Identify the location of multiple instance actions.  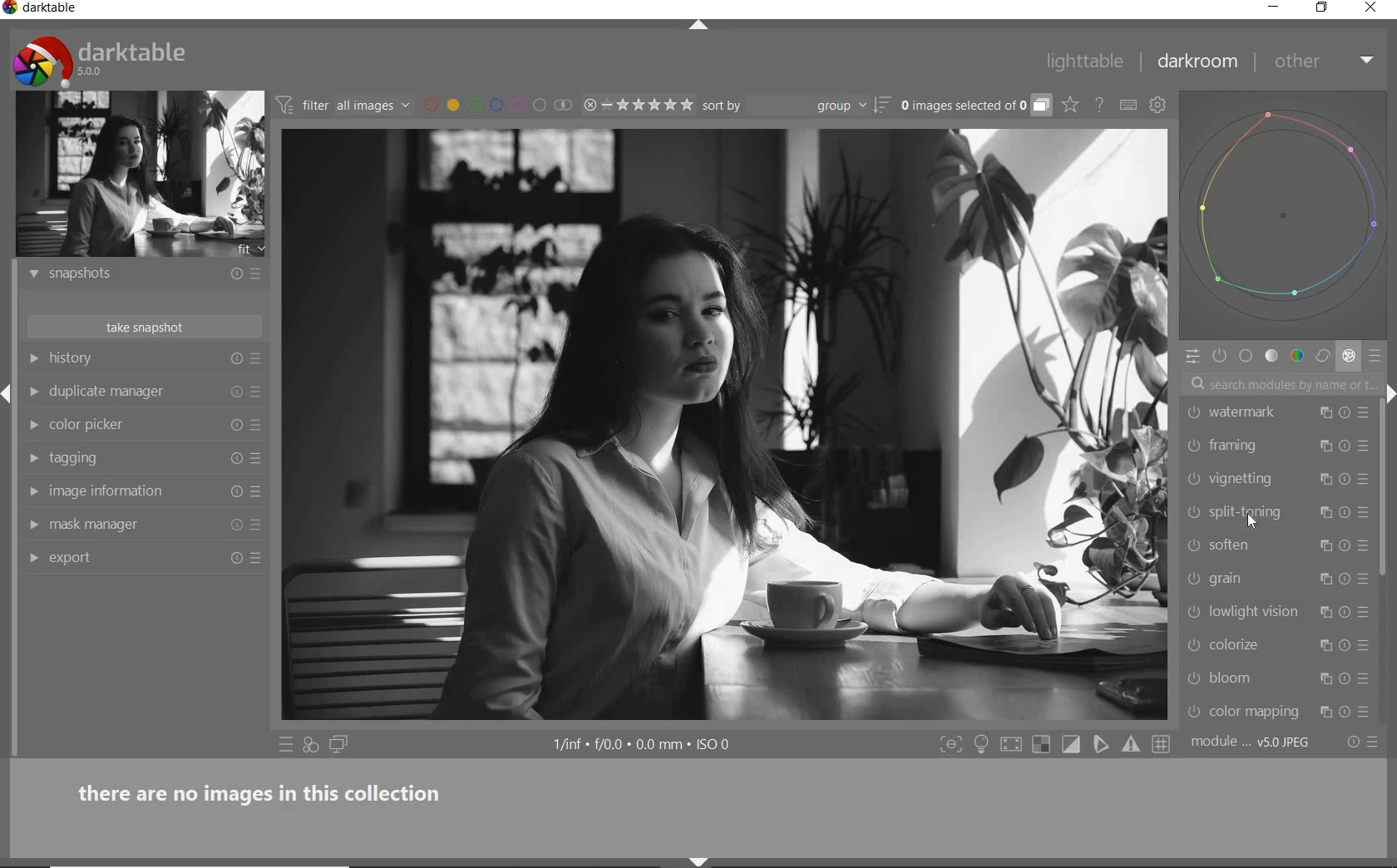
(1324, 479).